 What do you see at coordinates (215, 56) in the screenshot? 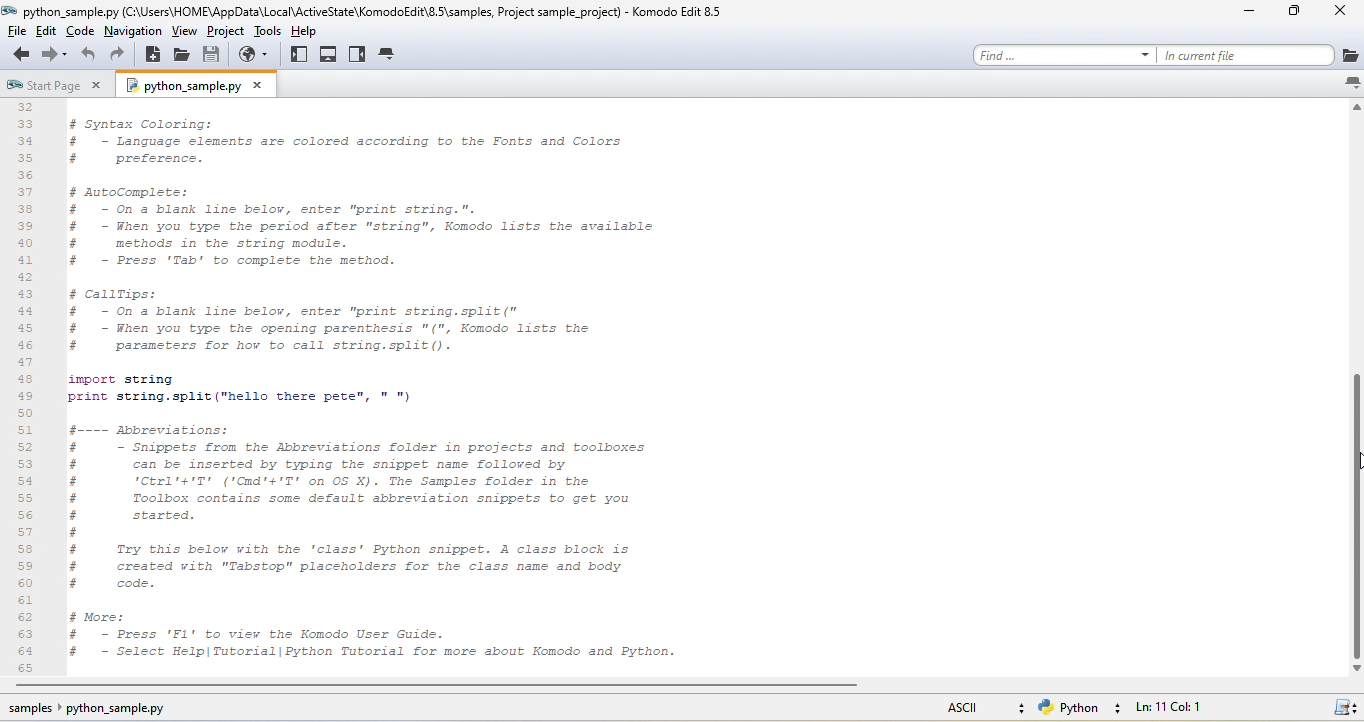
I see `save` at bounding box center [215, 56].